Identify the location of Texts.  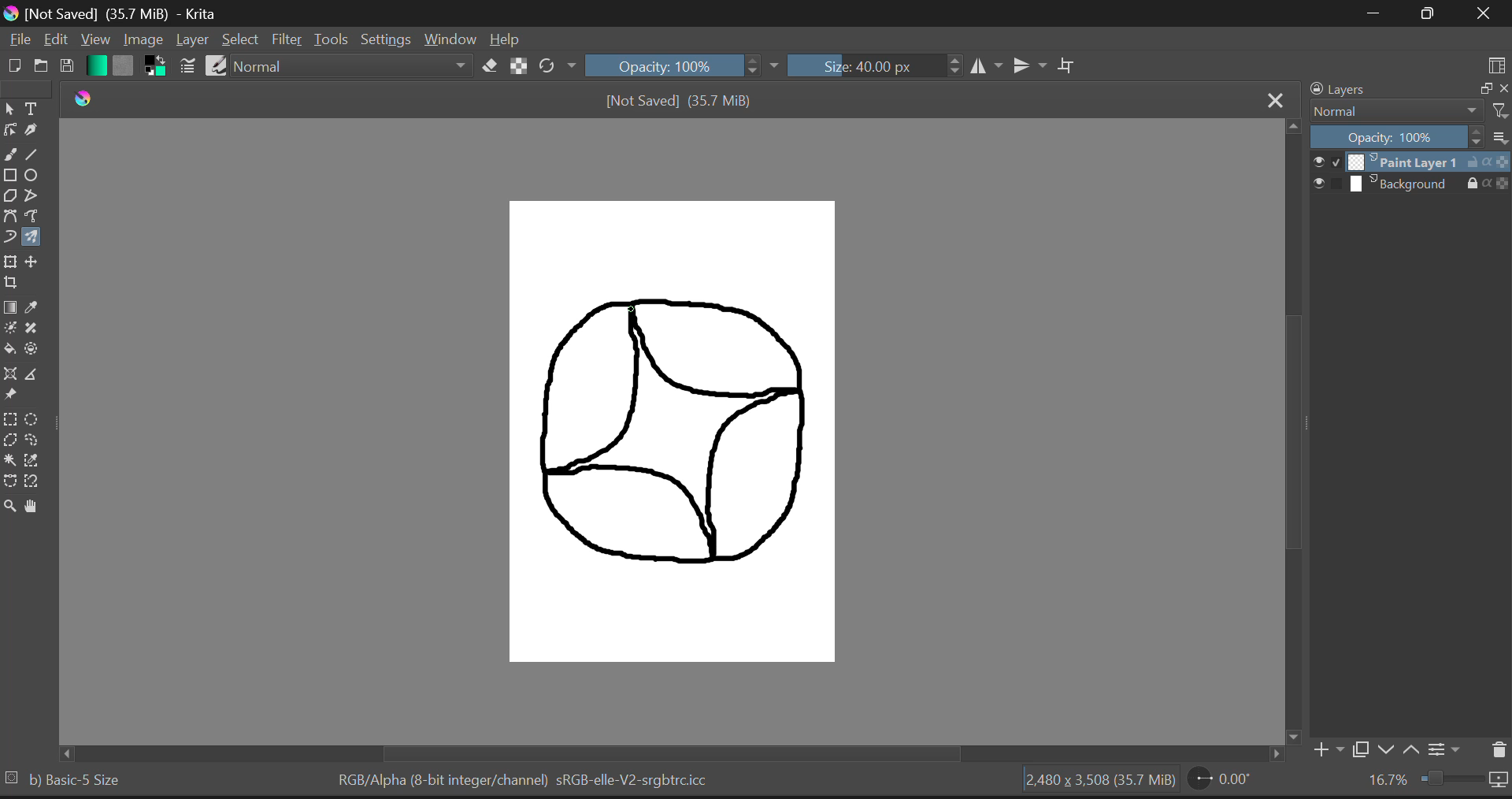
(32, 107).